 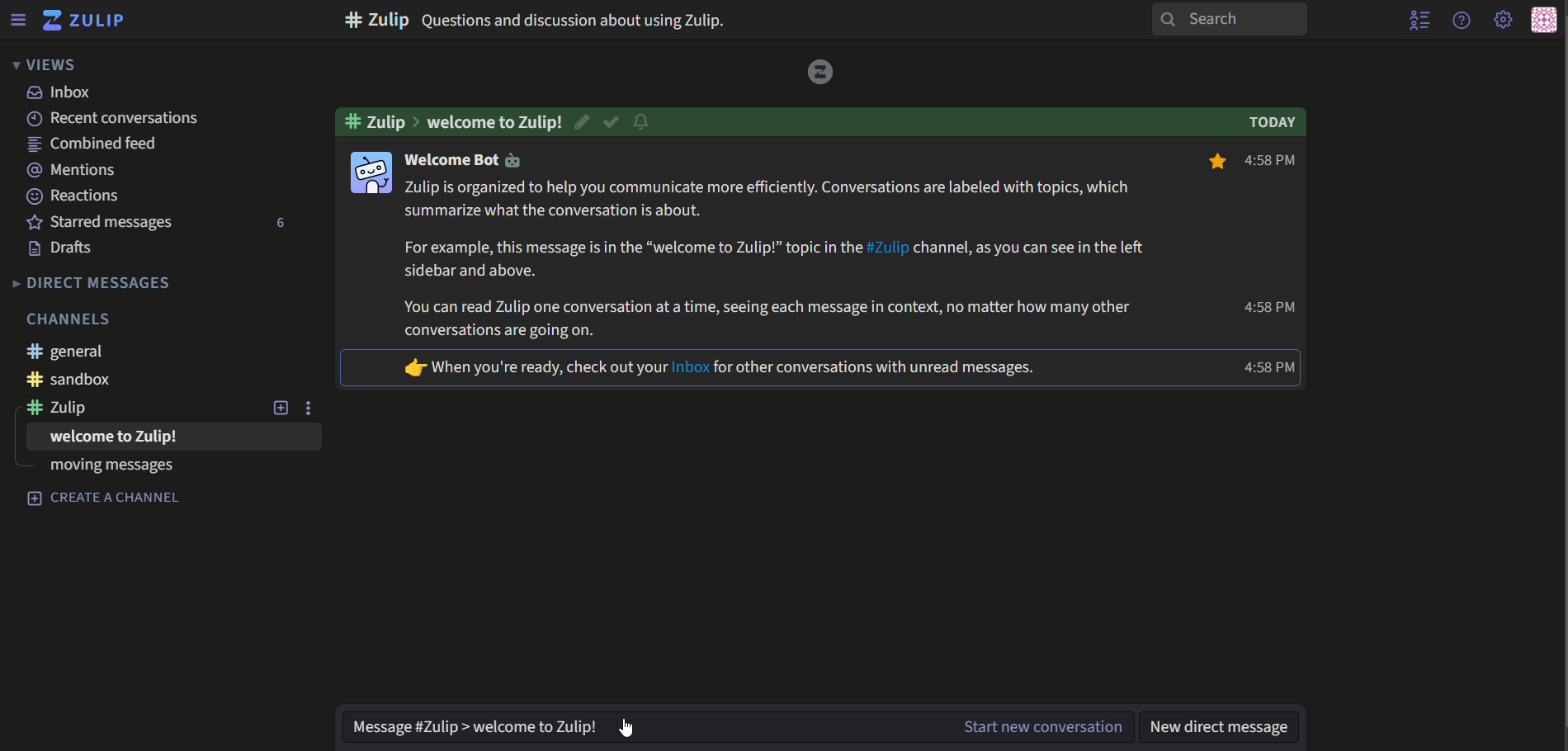 What do you see at coordinates (68, 410) in the screenshot?
I see `text` at bounding box center [68, 410].